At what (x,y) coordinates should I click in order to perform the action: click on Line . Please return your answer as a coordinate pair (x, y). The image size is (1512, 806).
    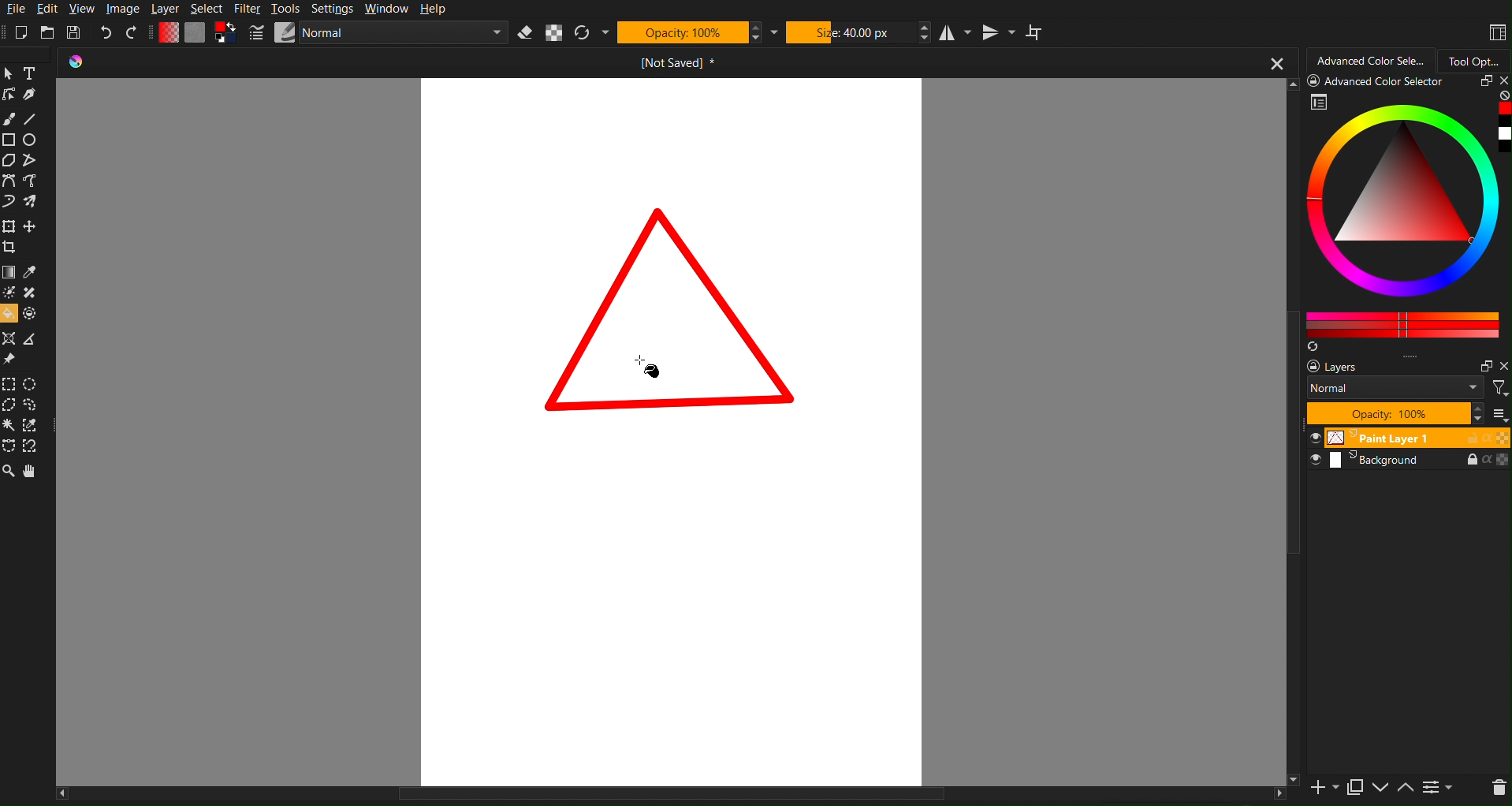
    Looking at the image, I should click on (31, 118).